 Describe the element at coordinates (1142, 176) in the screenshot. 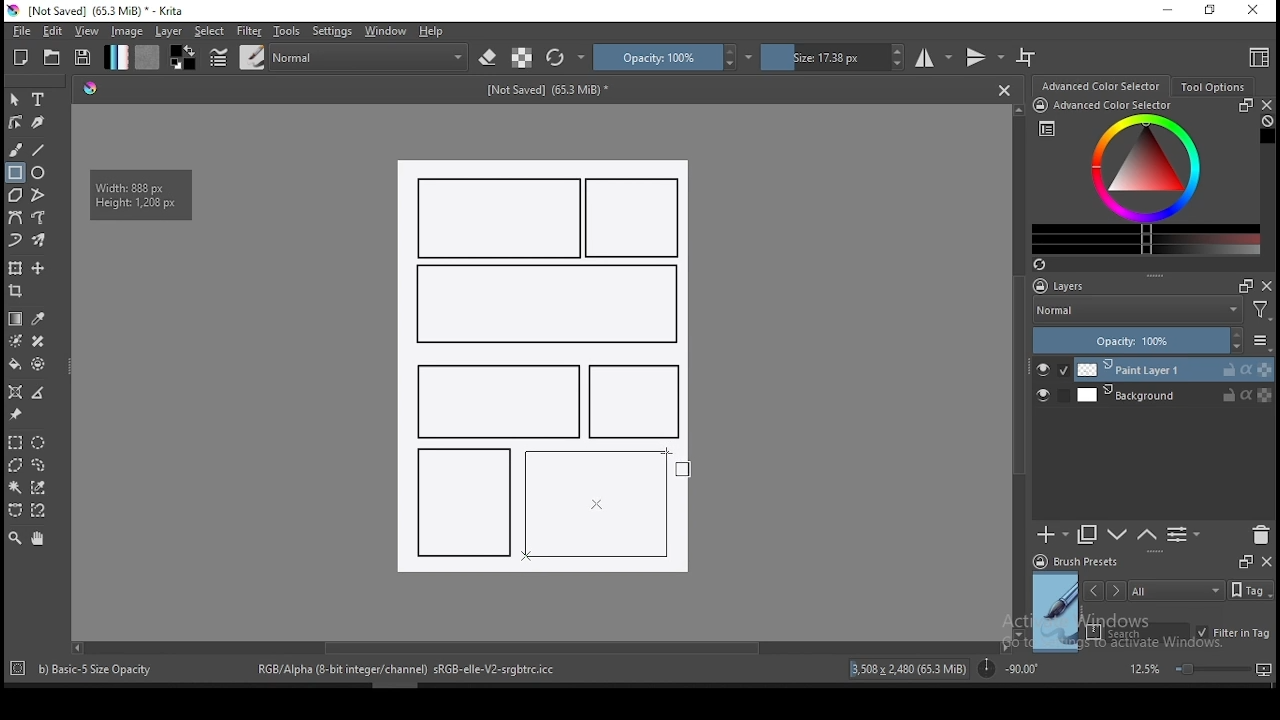

I see `advanced color selector` at that location.